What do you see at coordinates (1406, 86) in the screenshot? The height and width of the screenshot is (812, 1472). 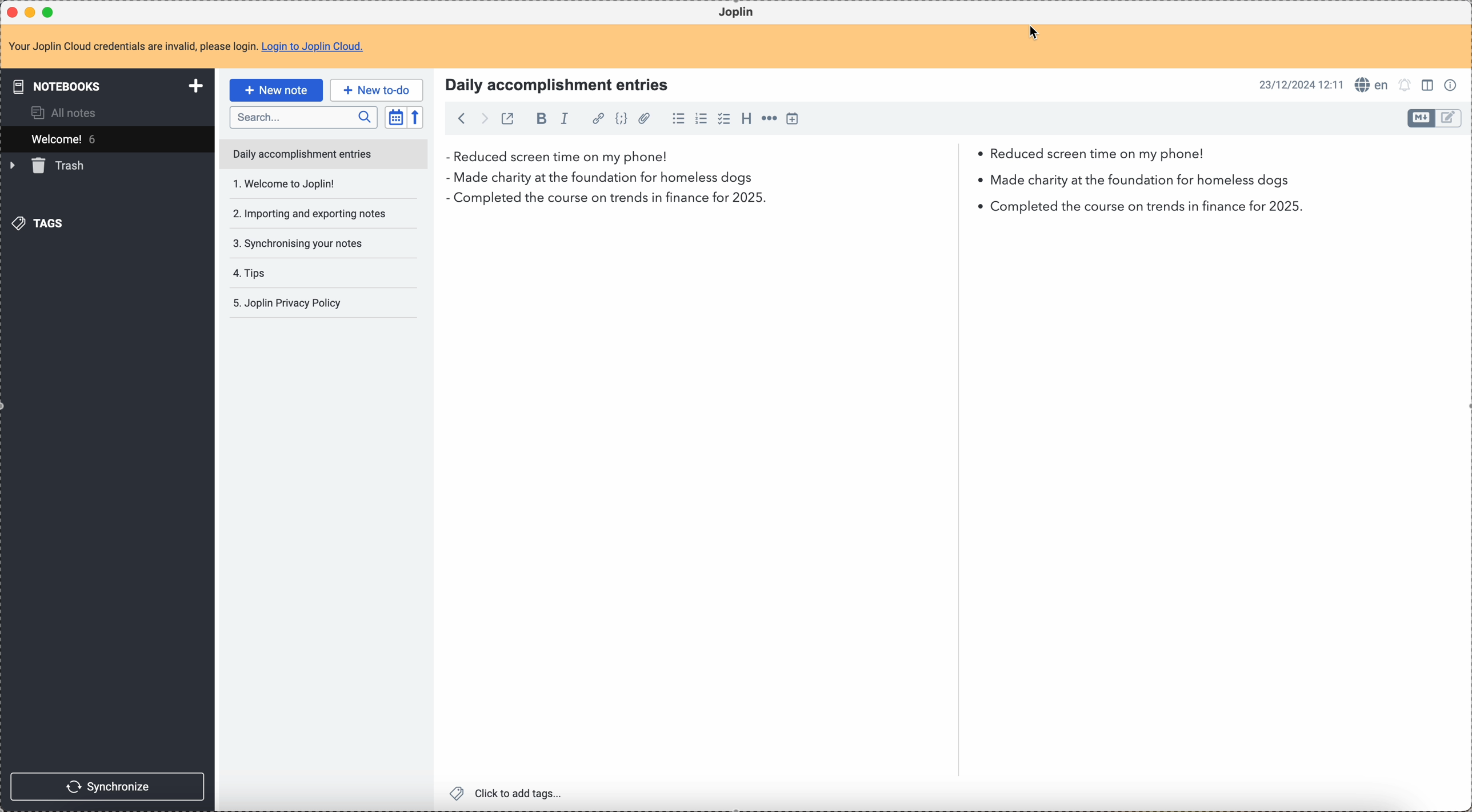 I see `set notifications` at bounding box center [1406, 86].